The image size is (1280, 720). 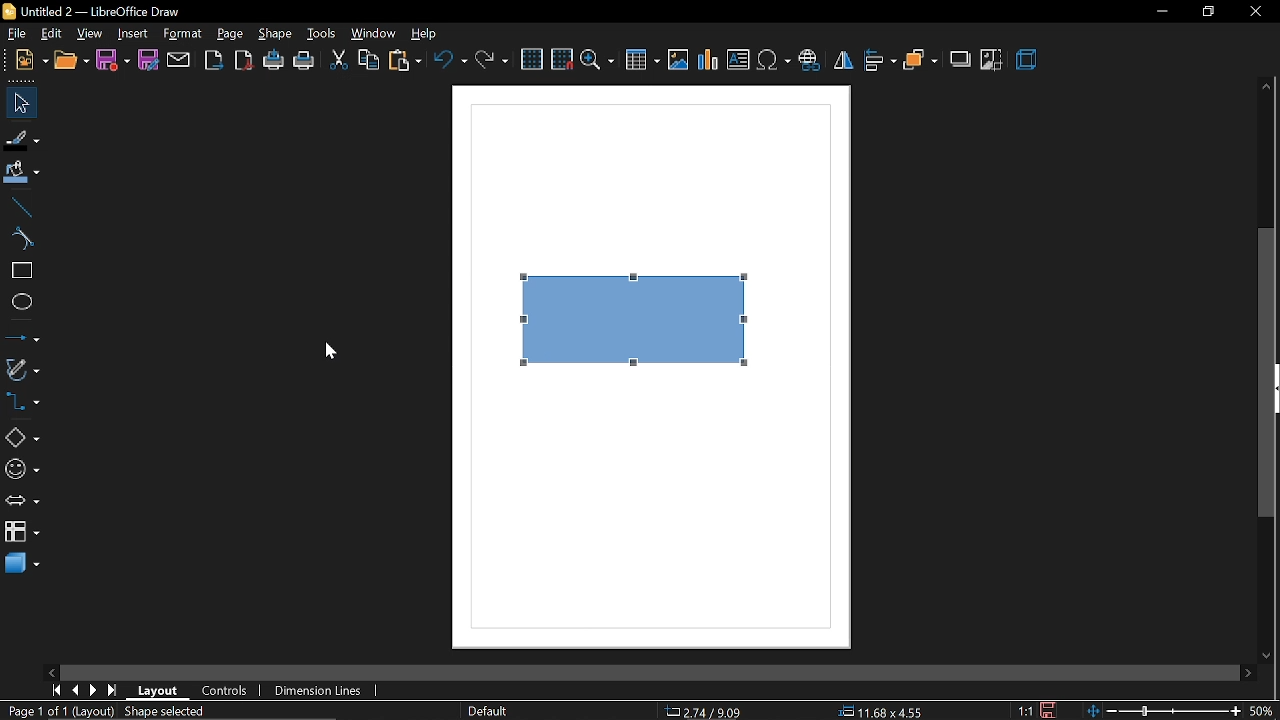 What do you see at coordinates (707, 713) in the screenshot?
I see `2.79/9.09` at bounding box center [707, 713].